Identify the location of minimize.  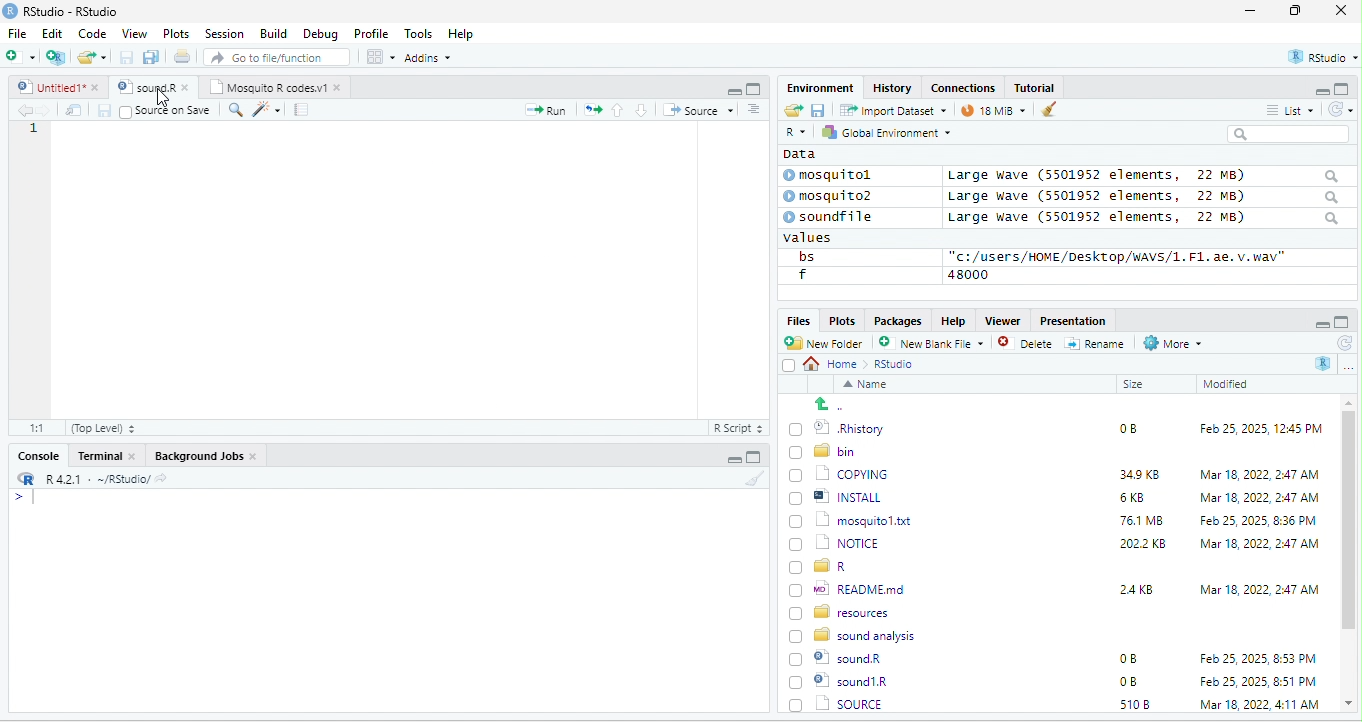
(733, 90).